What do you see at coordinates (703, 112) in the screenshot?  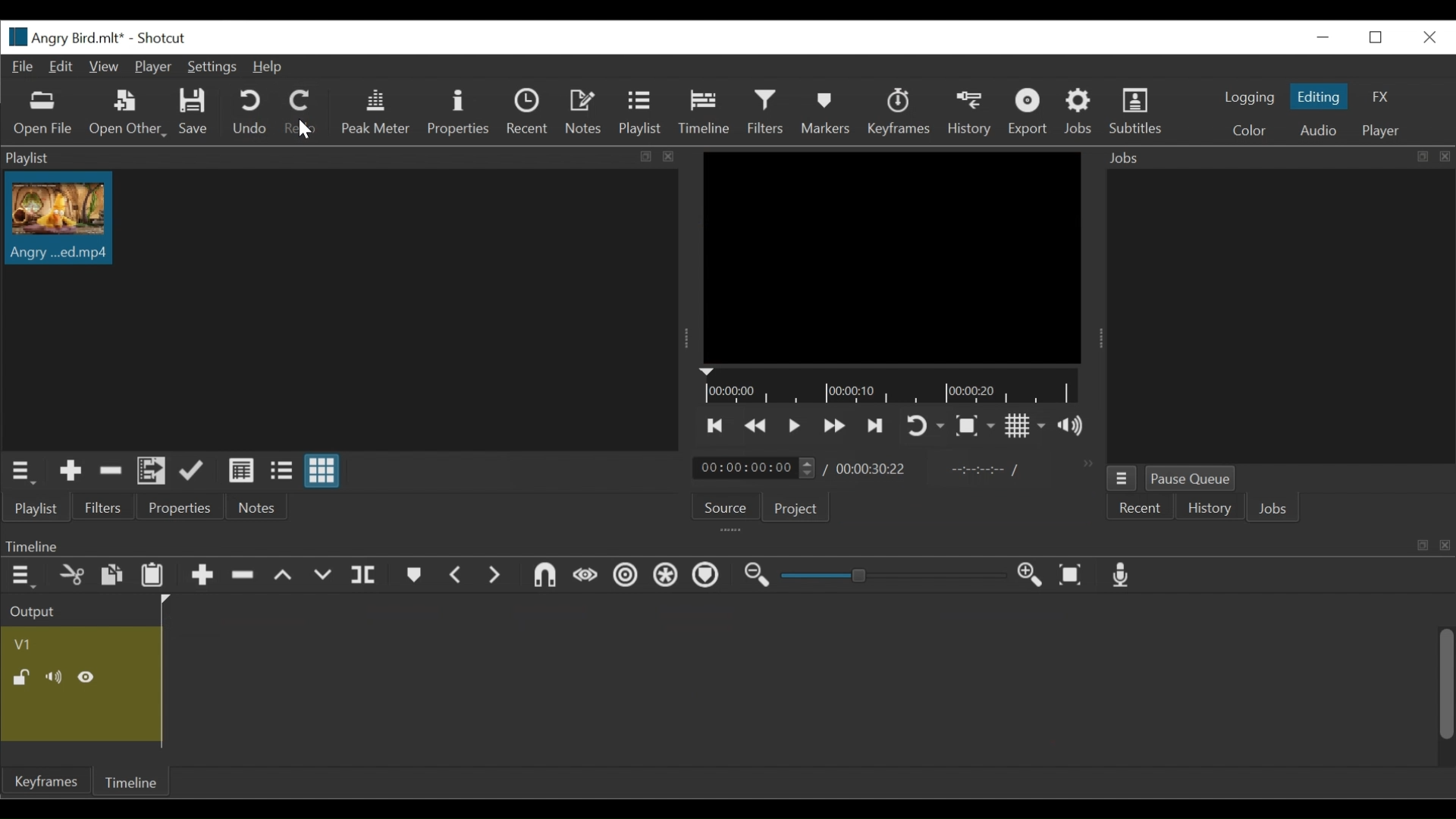 I see `Timeline` at bounding box center [703, 112].